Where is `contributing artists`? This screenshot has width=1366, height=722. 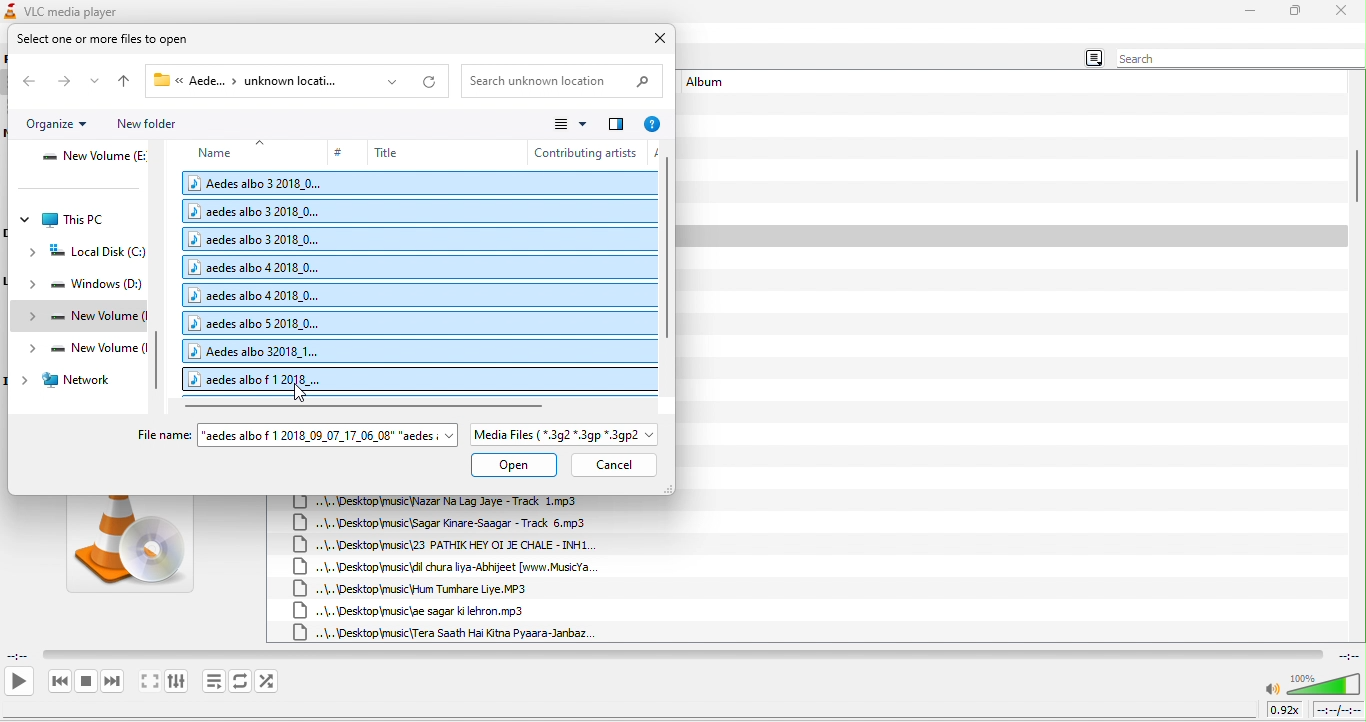 contributing artists is located at coordinates (584, 151).